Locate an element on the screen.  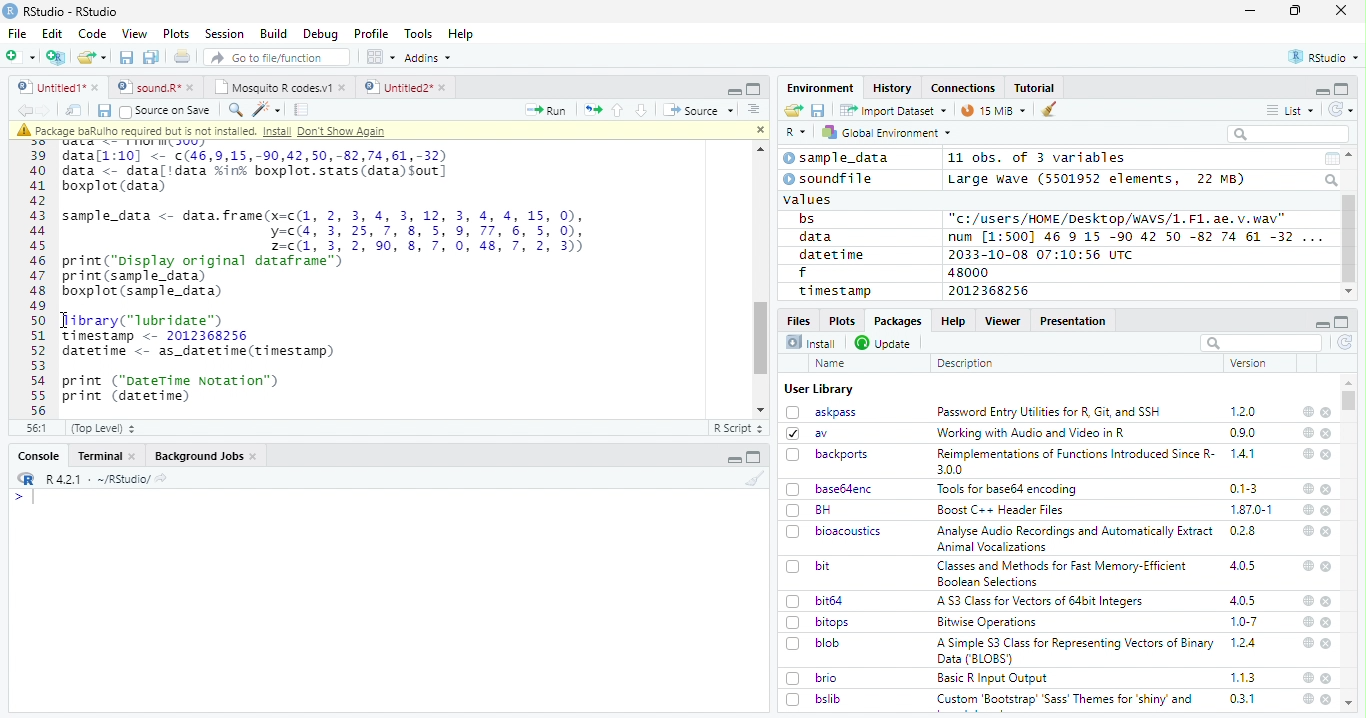
help is located at coordinates (1307, 453).